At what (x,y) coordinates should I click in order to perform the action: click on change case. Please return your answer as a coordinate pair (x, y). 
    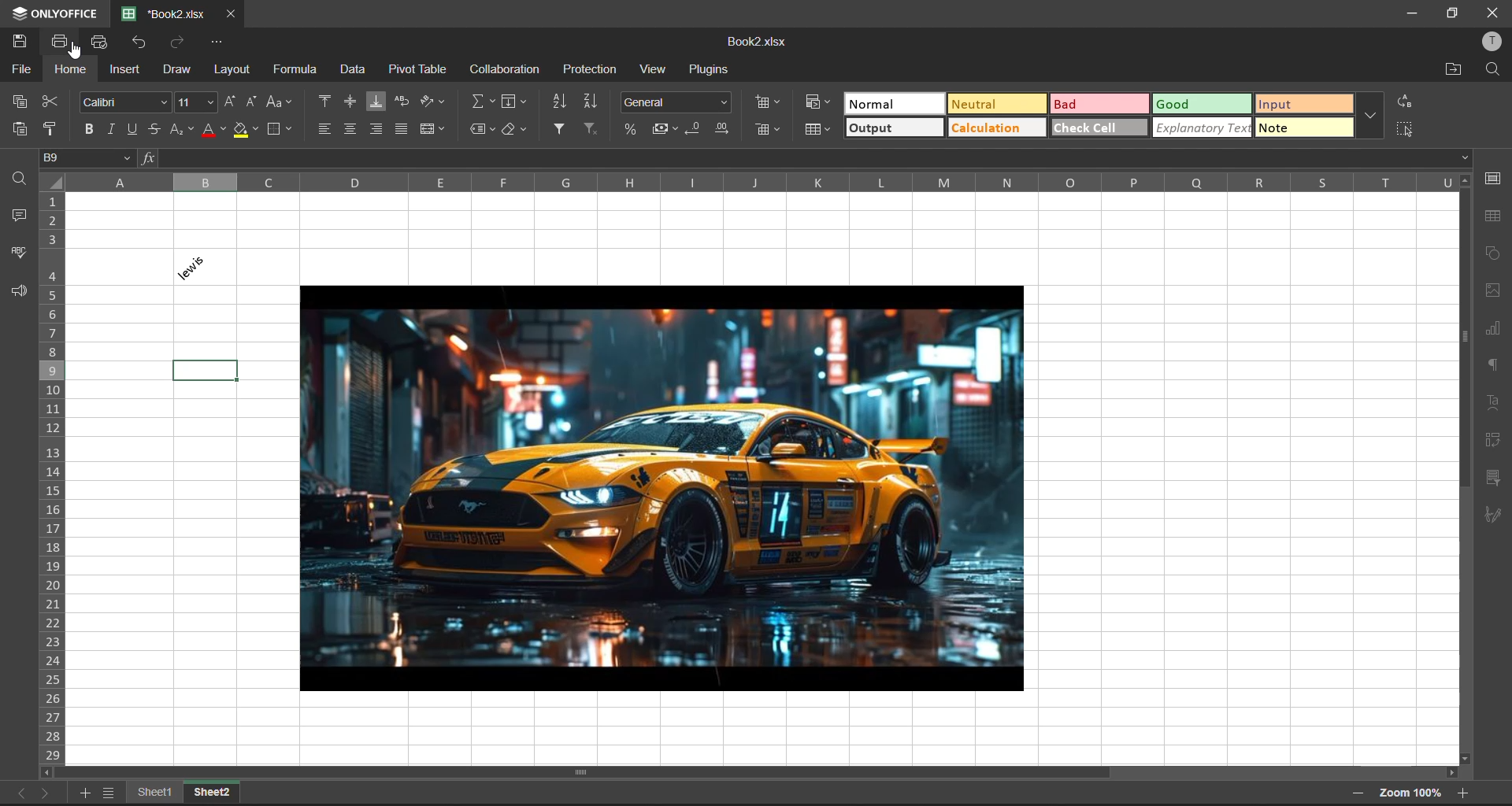
    Looking at the image, I should click on (282, 105).